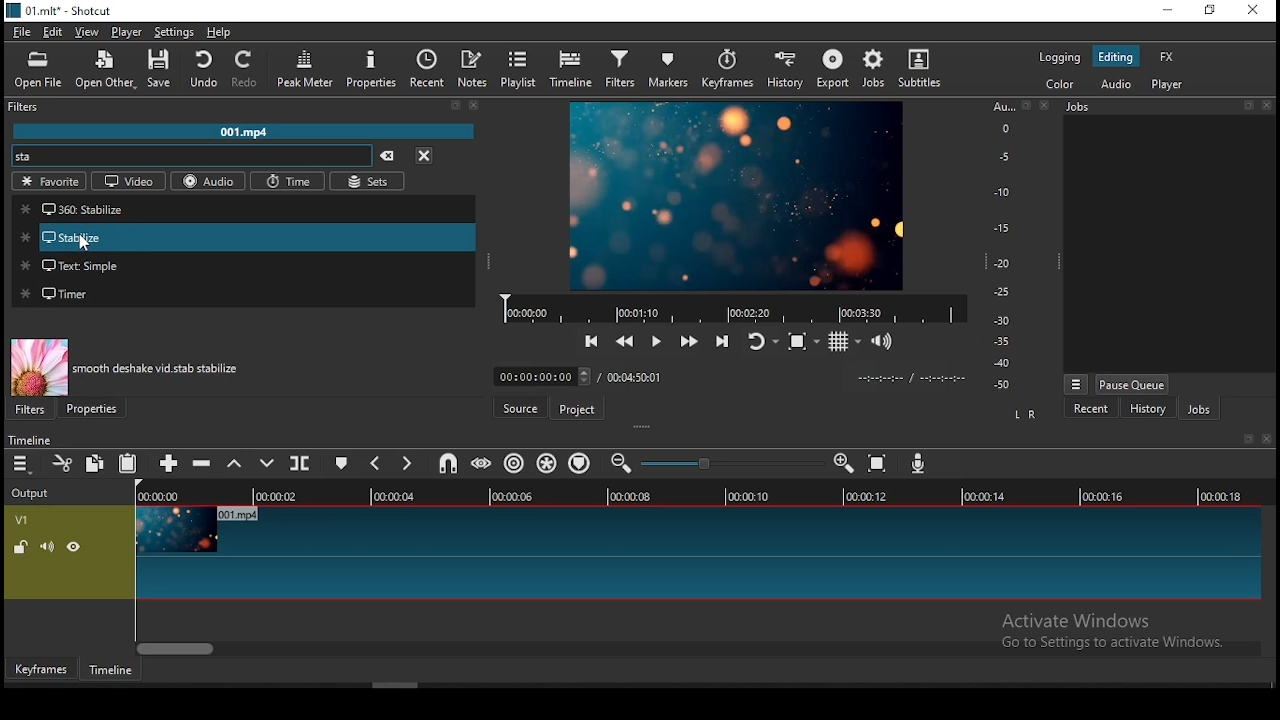  What do you see at coordinates (23, 108) in the screenshot?
I see `Filters` at bounding box center [23, 108].